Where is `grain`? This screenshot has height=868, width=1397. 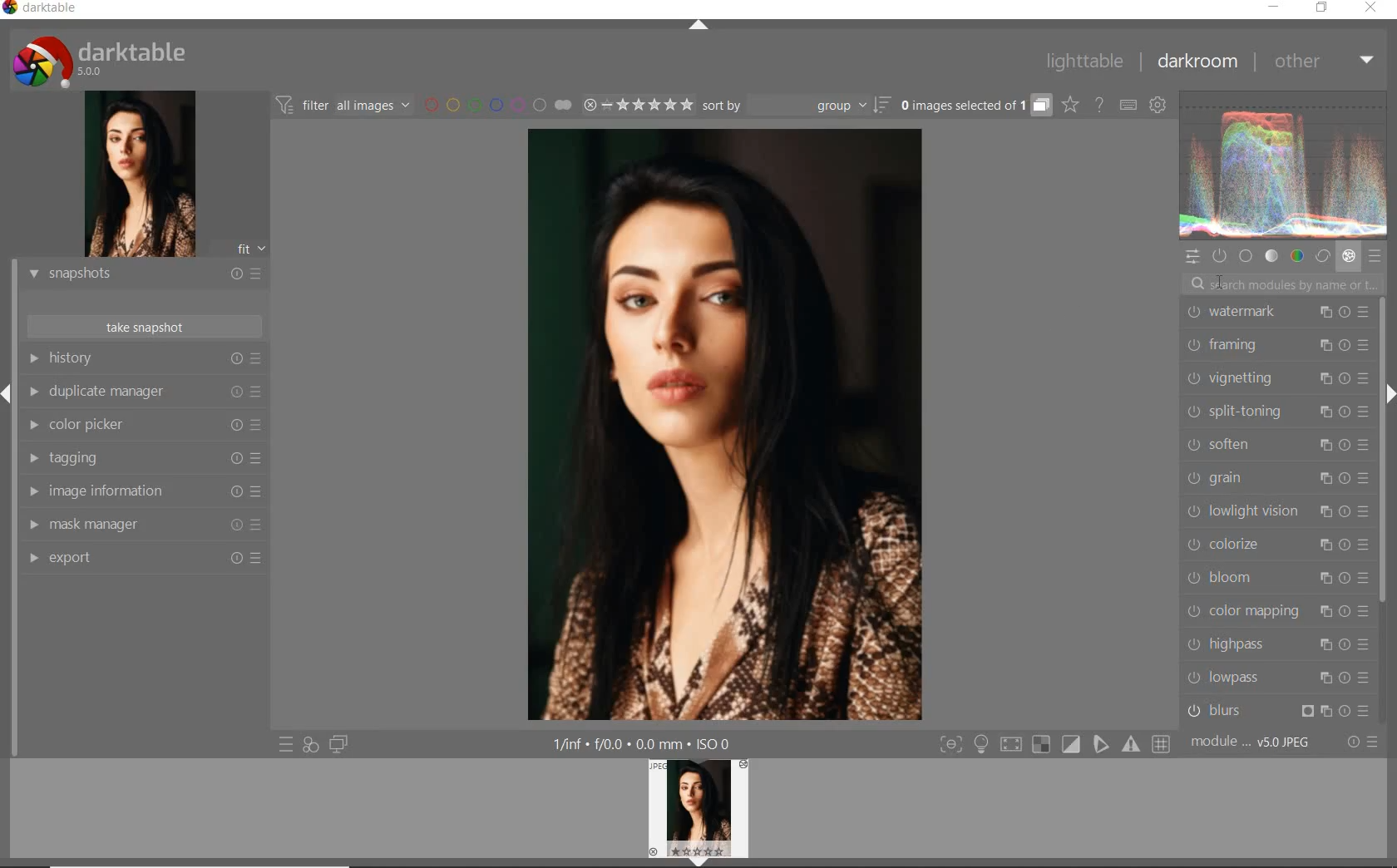 grain is located at coordinates (1275, 479).